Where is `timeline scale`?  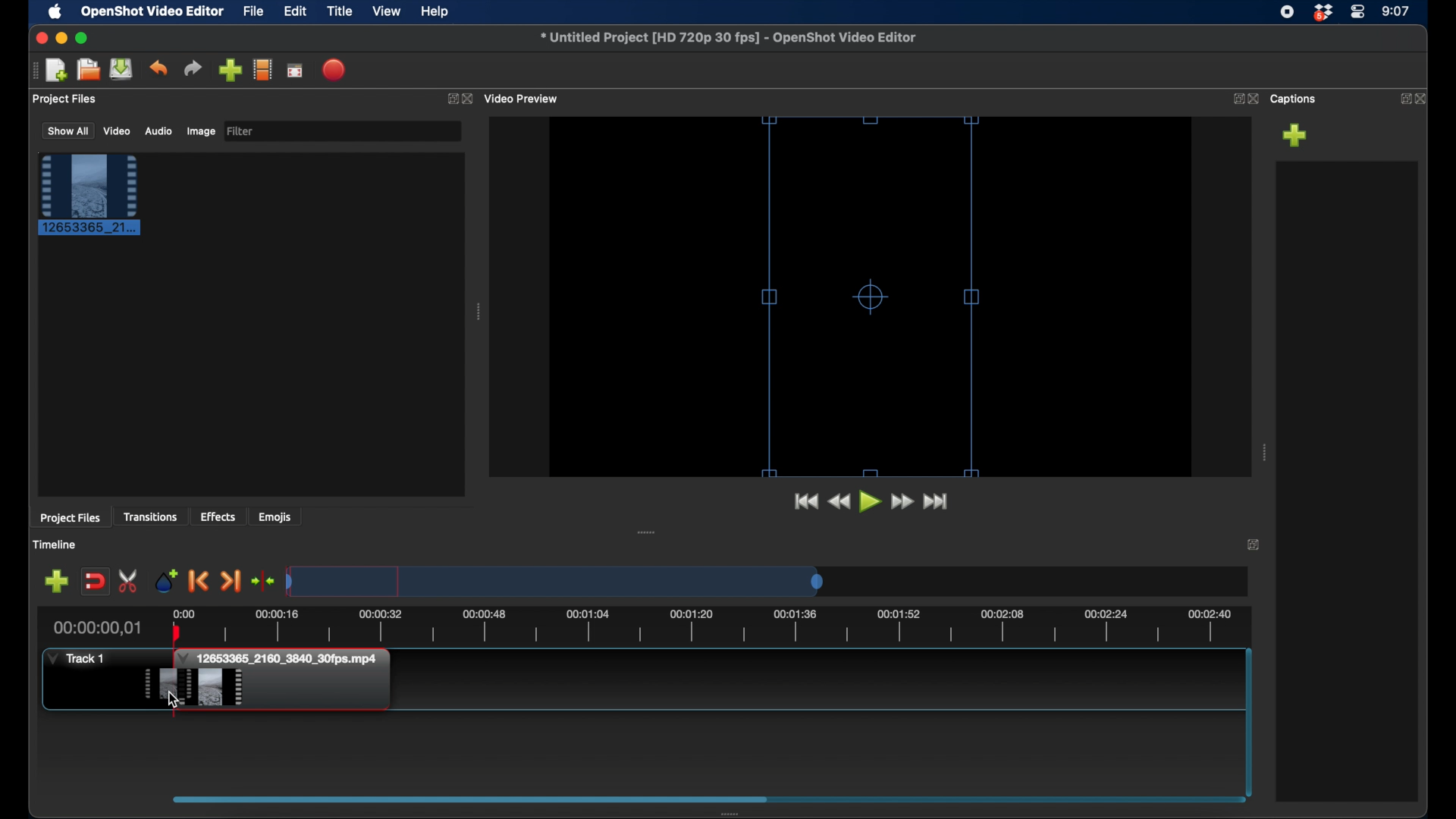
timeline scale is located at coordinates (554, 581).